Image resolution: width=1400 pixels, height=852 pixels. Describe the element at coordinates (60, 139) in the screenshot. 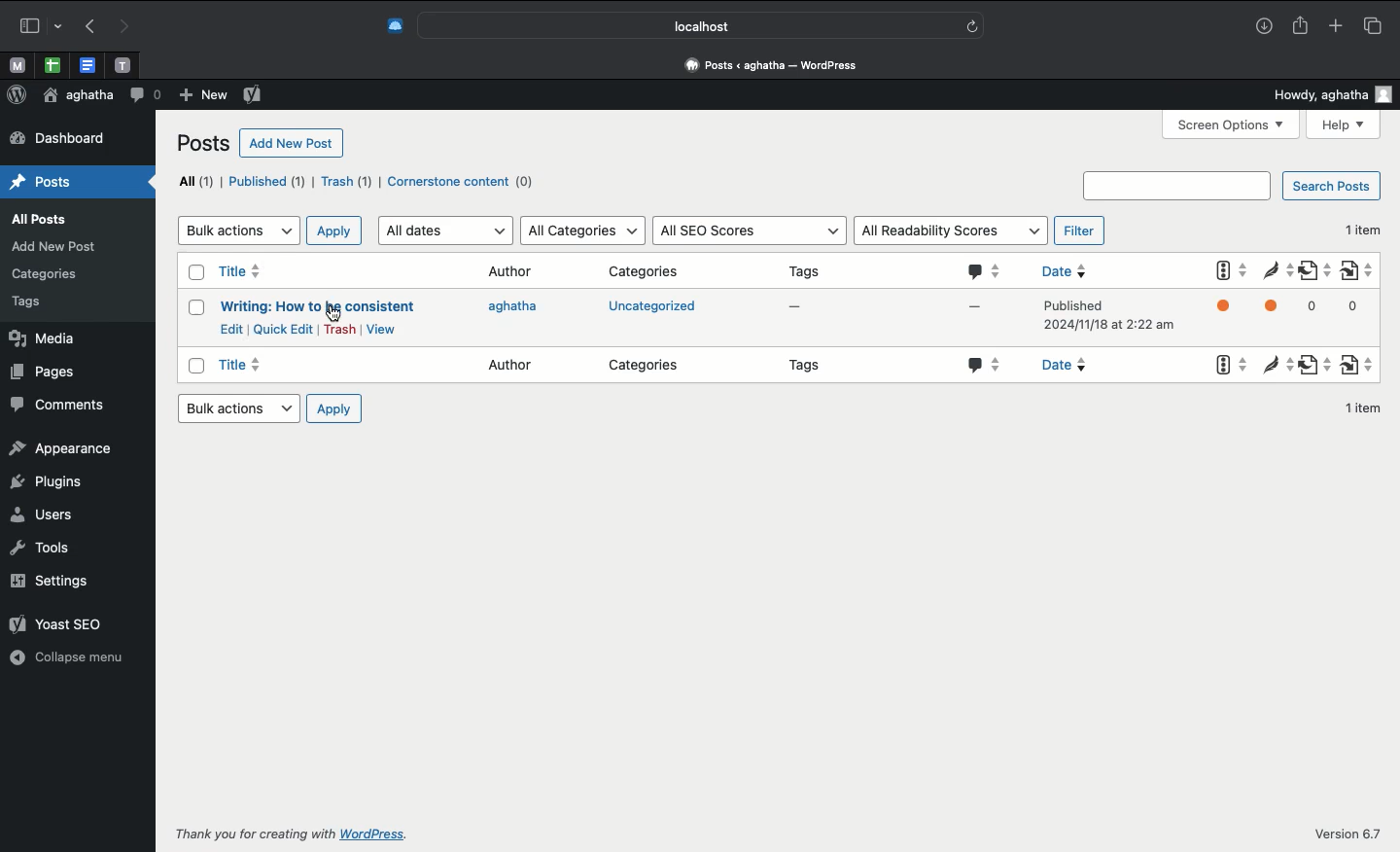

I see `dashboard` at that location.